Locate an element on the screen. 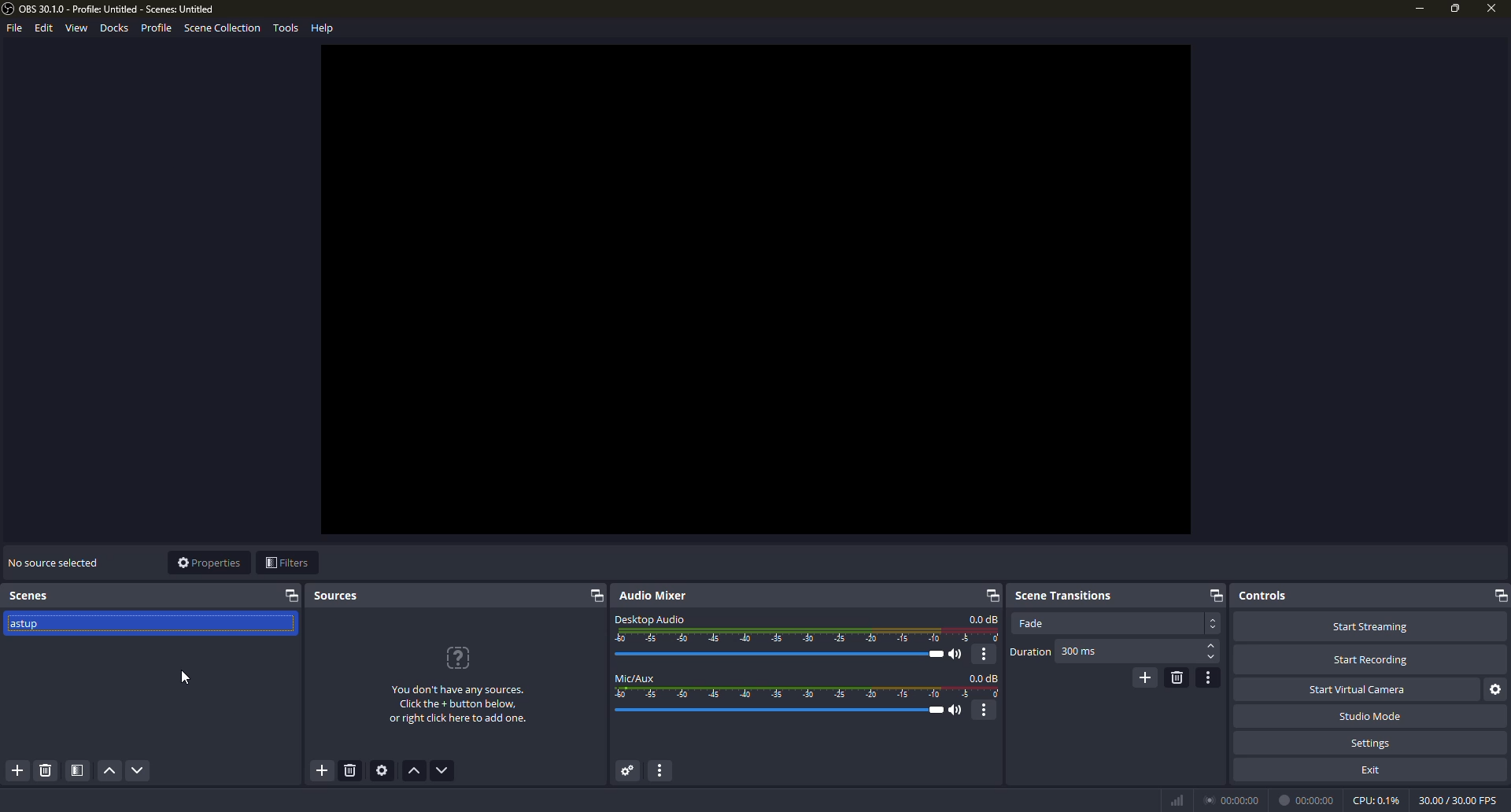 The image size is (1511, 812). move source down is located at coordinates (442, 771).